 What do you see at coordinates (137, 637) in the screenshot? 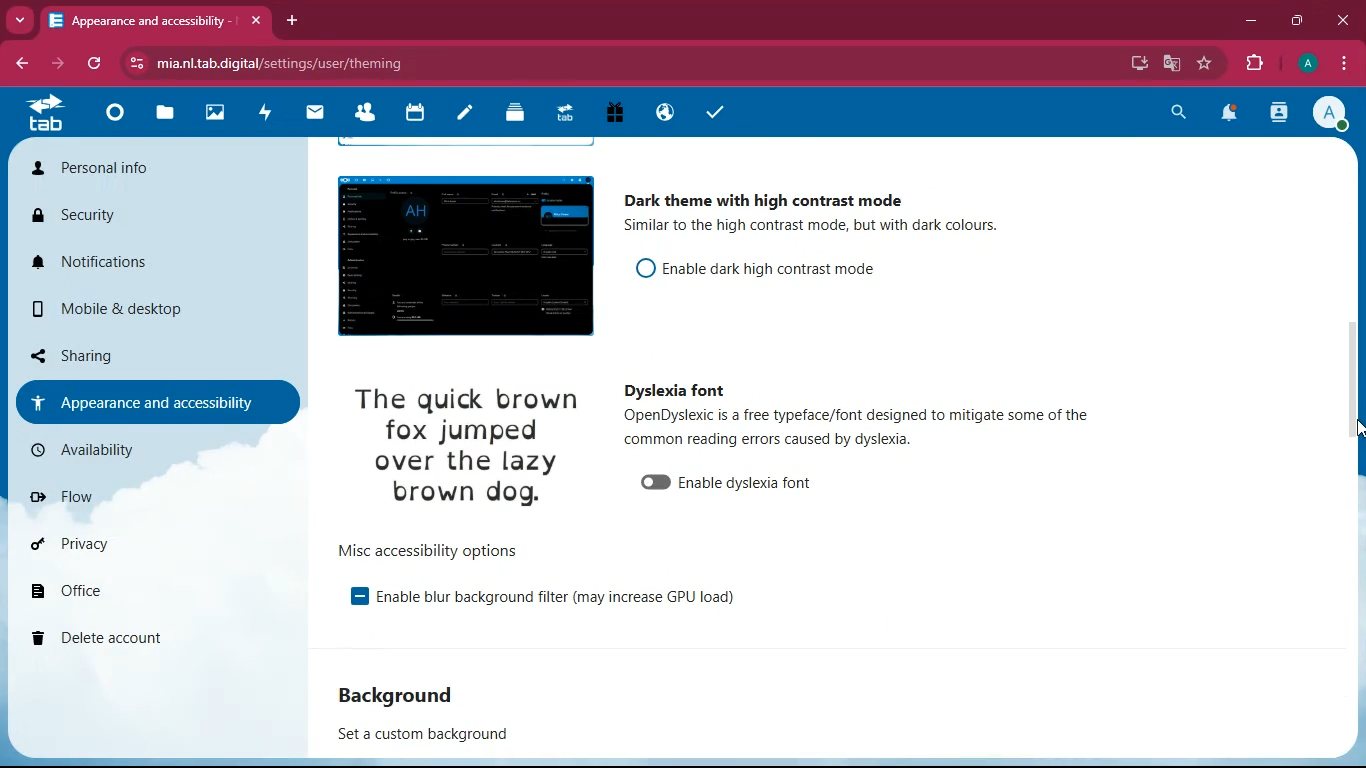
I see `delete account` at bounding box center [137, 637].